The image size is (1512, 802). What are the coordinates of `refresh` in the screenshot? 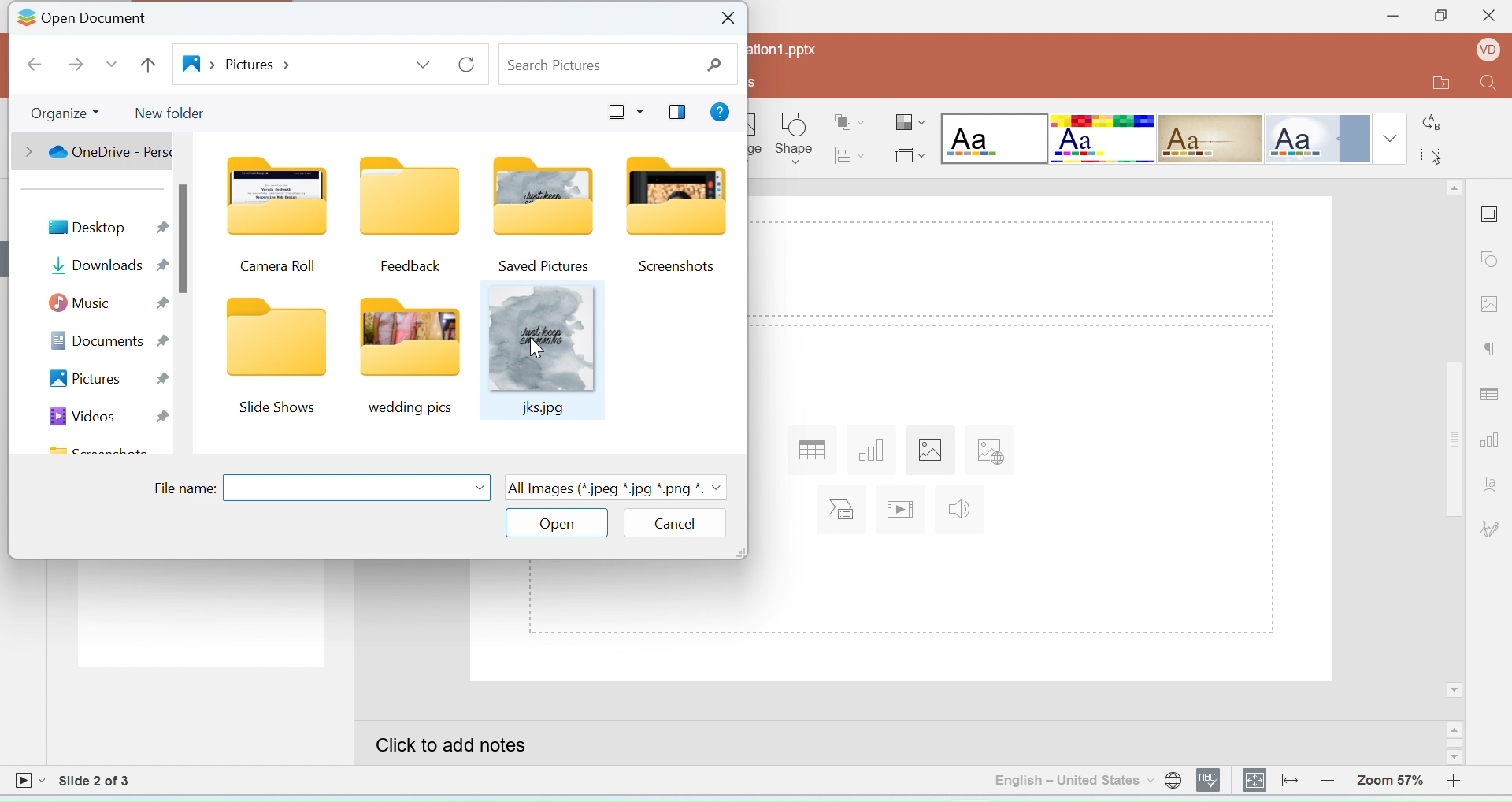 It's located at (467, 65).